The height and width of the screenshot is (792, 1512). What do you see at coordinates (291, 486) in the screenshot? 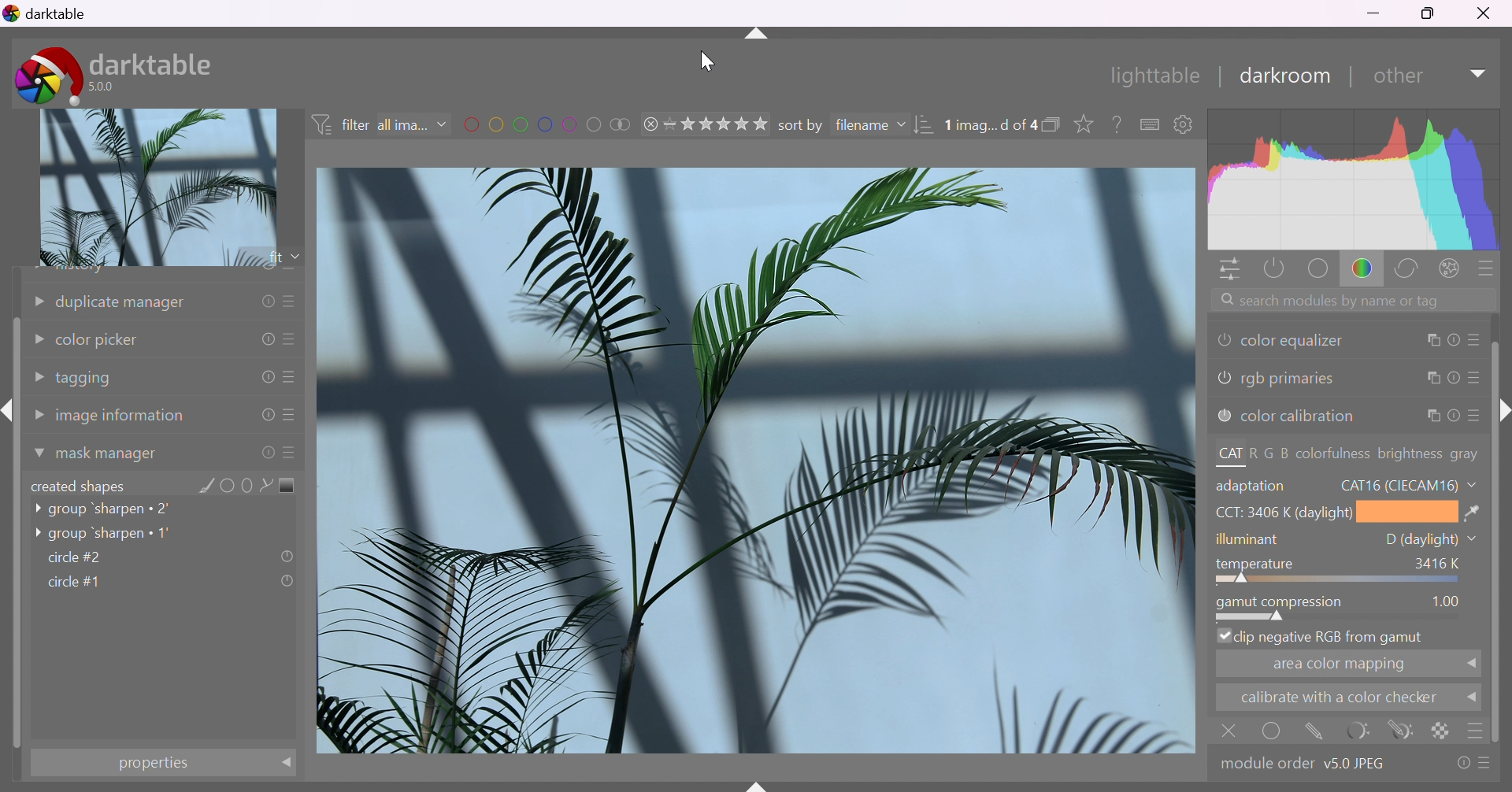
I see `add gradient` at bounding box center [291, 486].